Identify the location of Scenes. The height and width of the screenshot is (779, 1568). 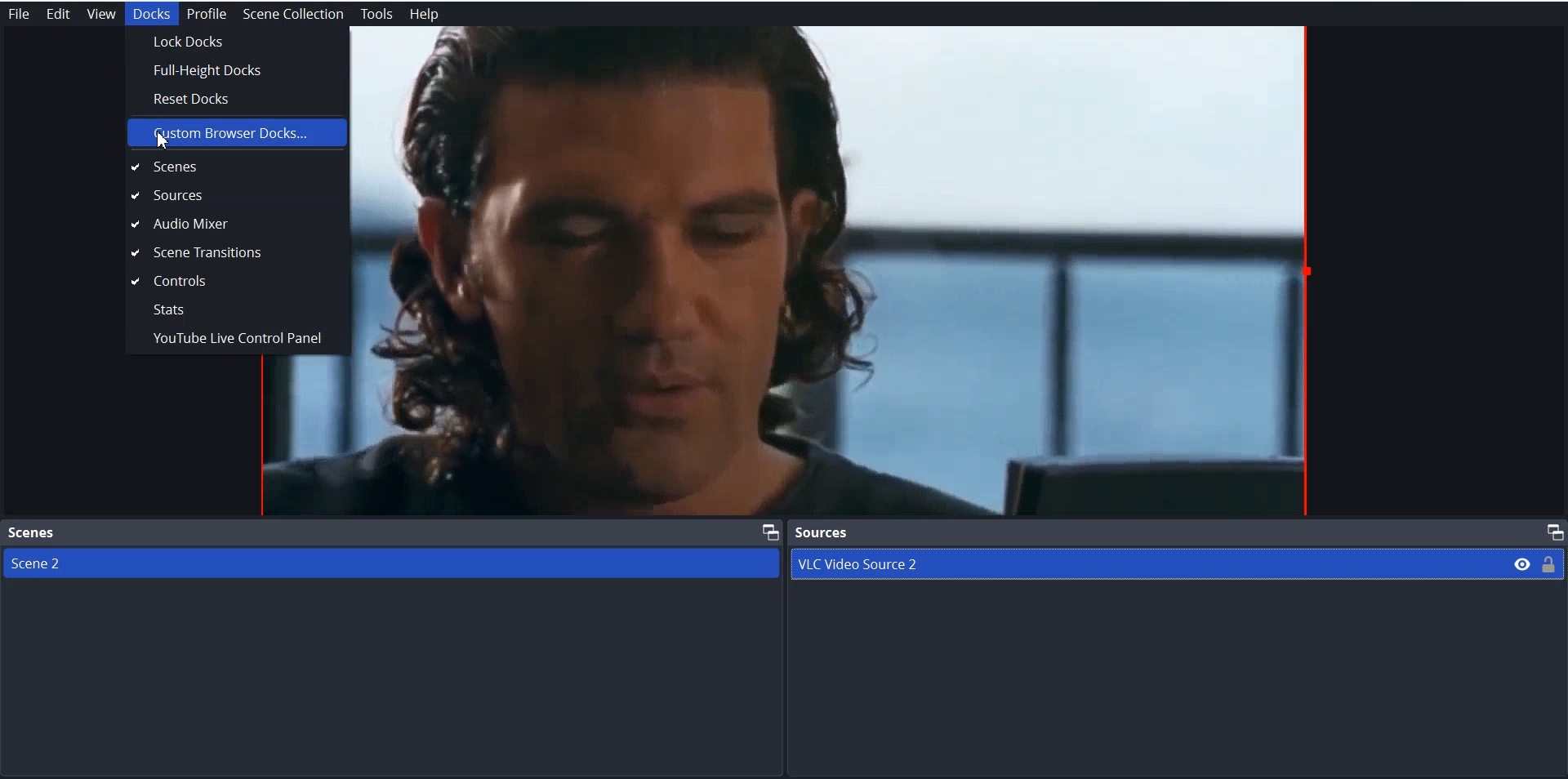
(238, 167).